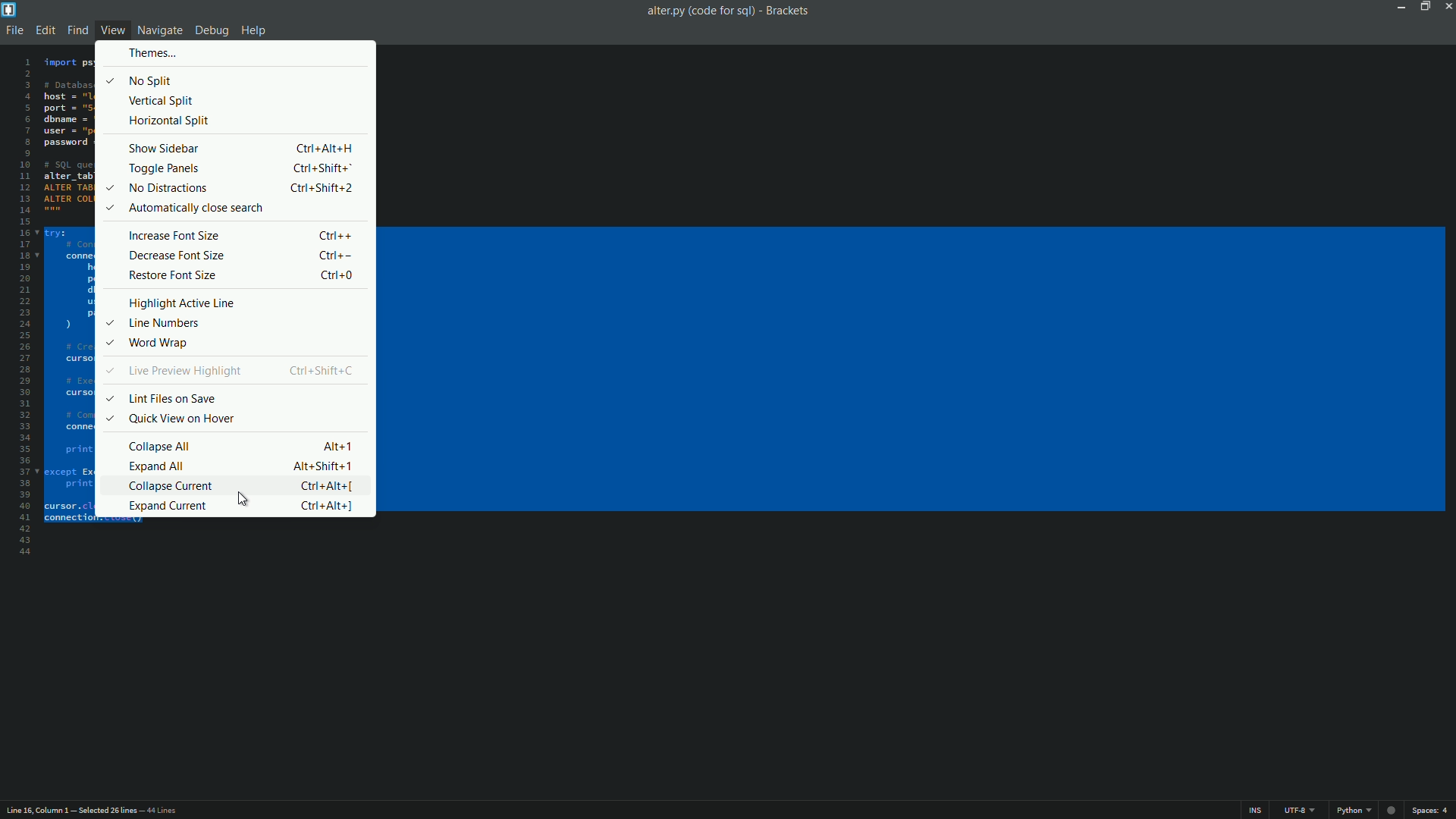 The height and width of the screenshot is (819, 1456). Describe the element at coordinates (165, 149) in the screenshot. I see `show sidebar` at that location.